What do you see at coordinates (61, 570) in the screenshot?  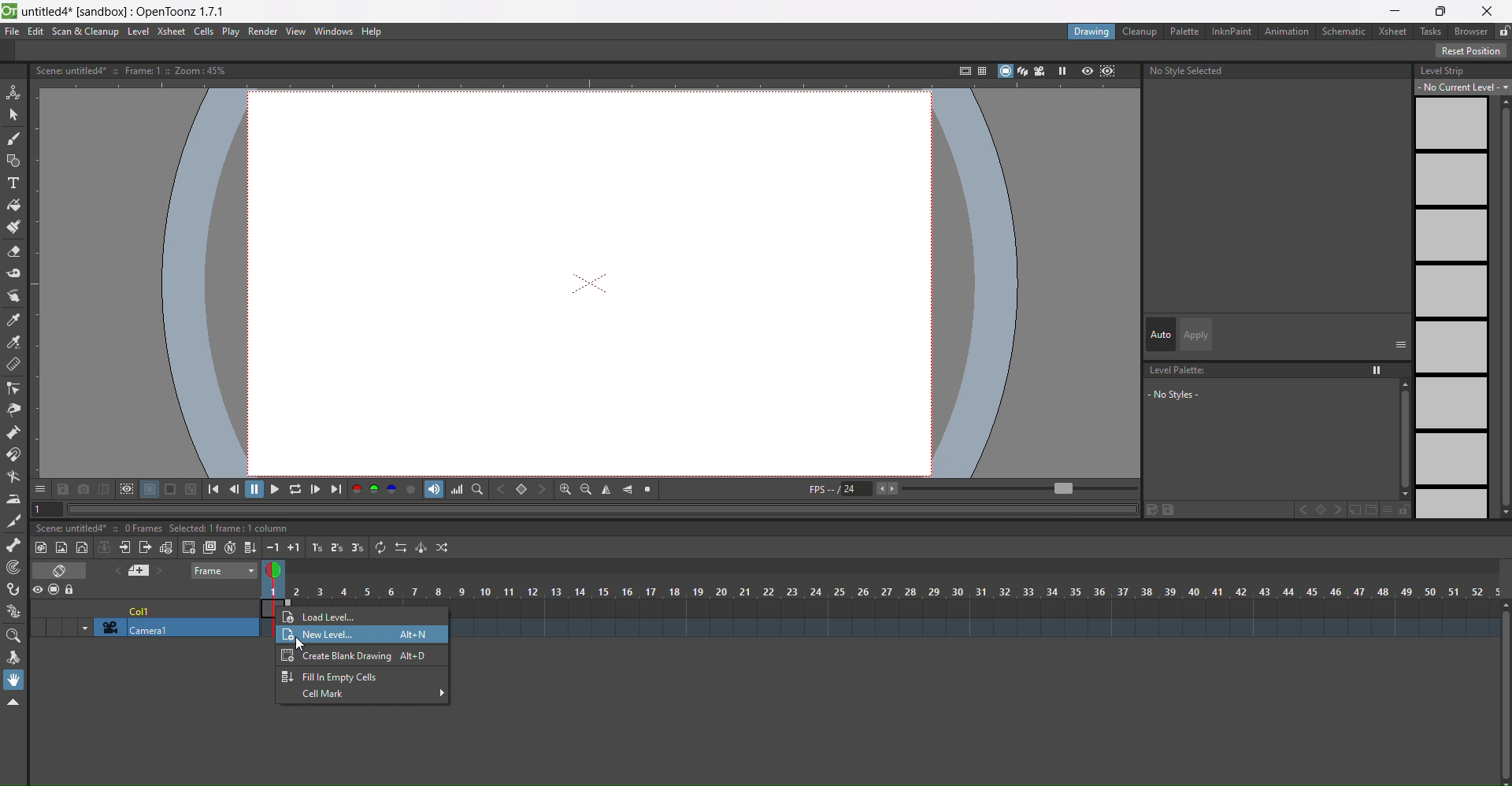 I see `` at bounding box center [61, 570].